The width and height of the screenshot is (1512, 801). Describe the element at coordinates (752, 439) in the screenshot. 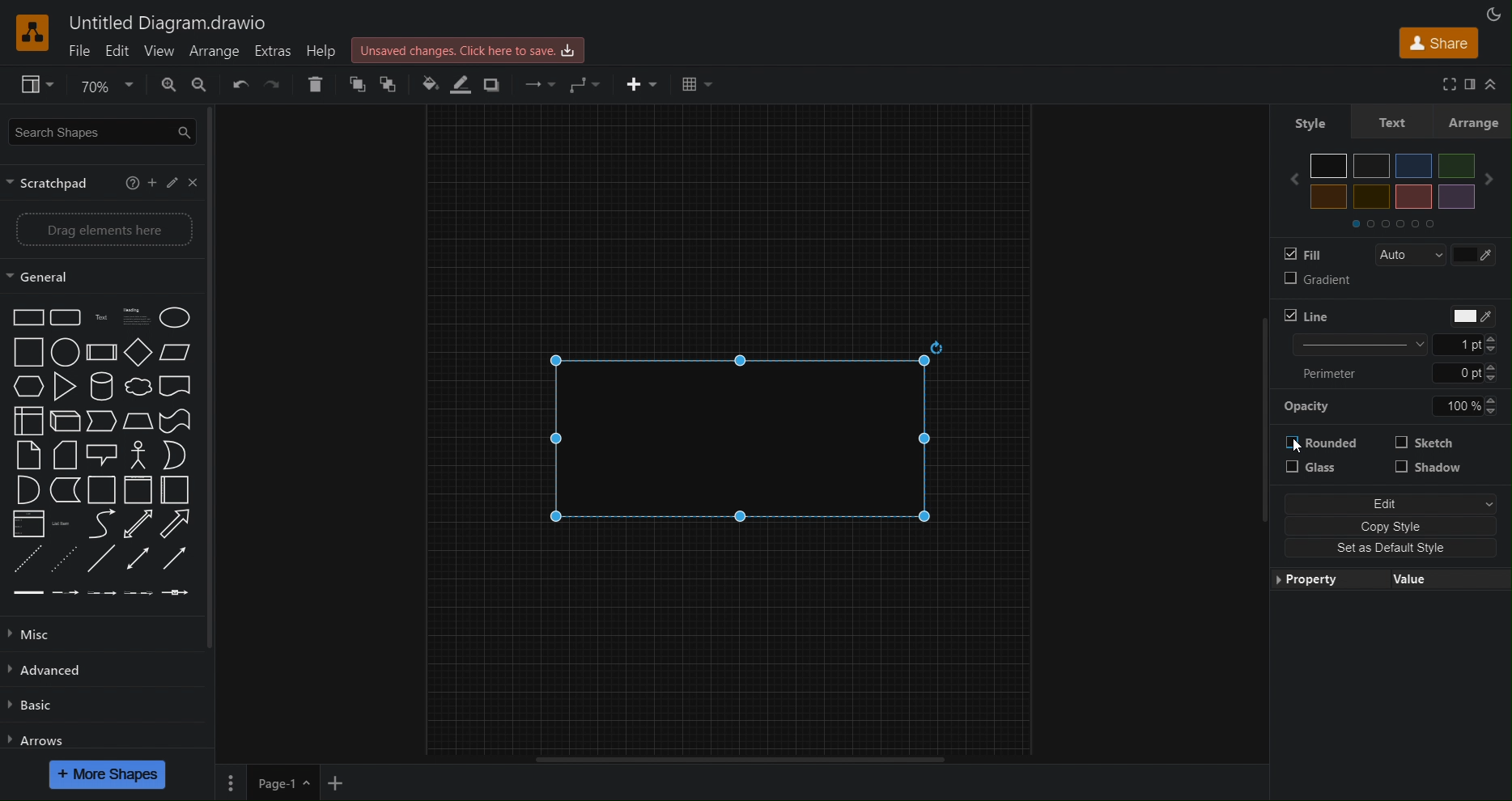

I see `Rectangle` at that location.